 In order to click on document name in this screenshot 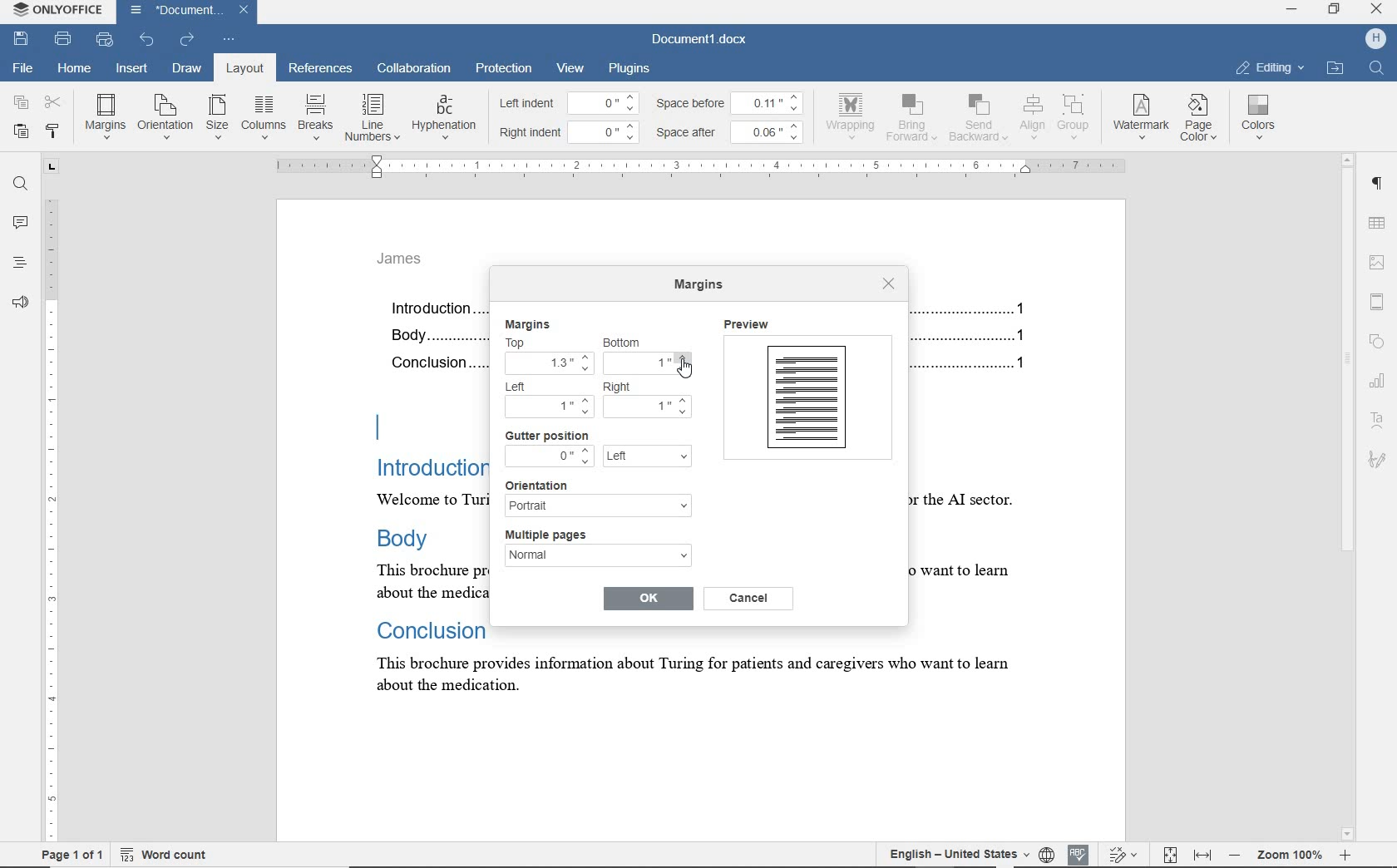, I will do `click(700, 40)`.